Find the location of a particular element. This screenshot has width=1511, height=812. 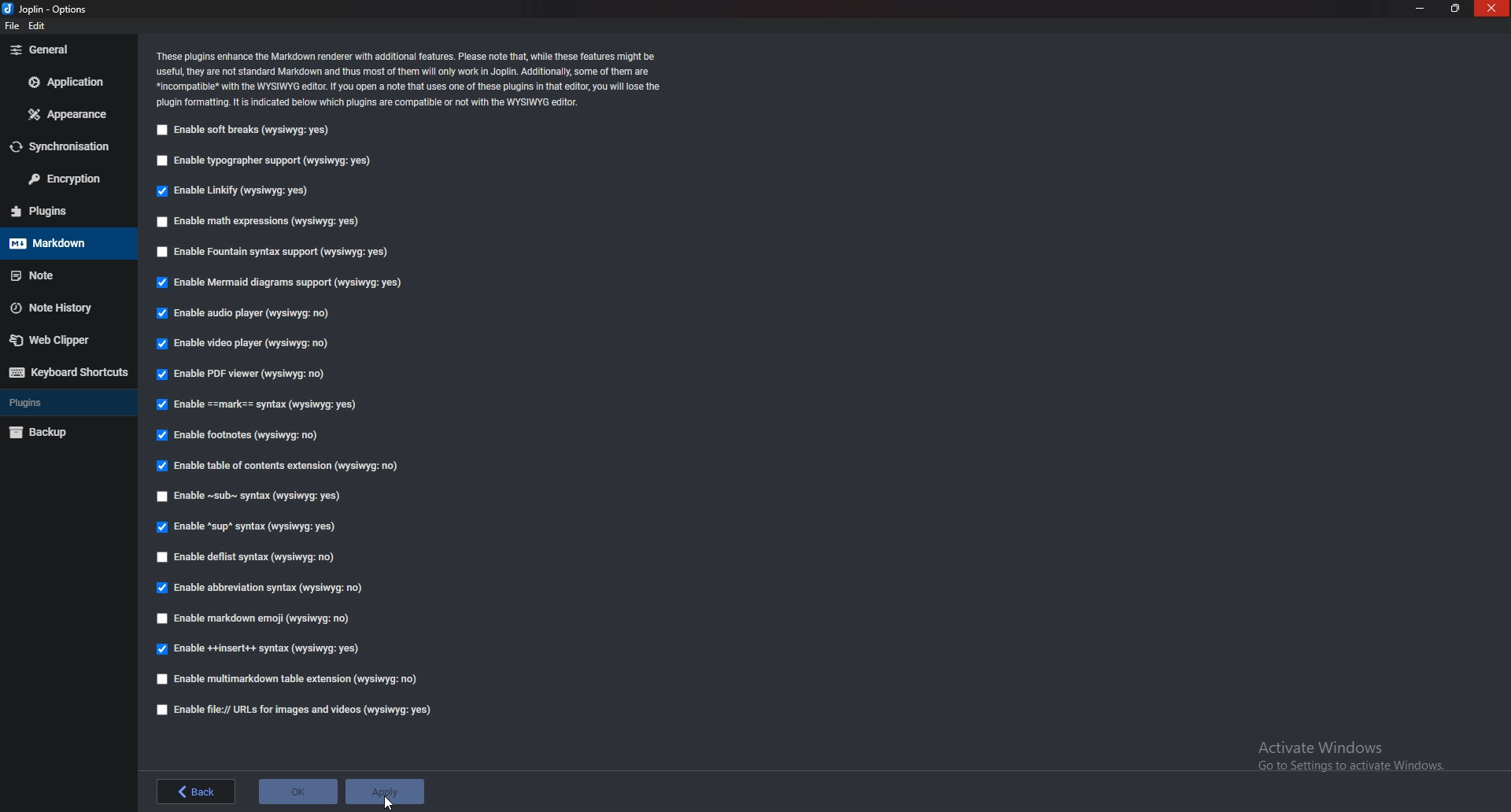

Encryption is located at coordinates (68, 179).